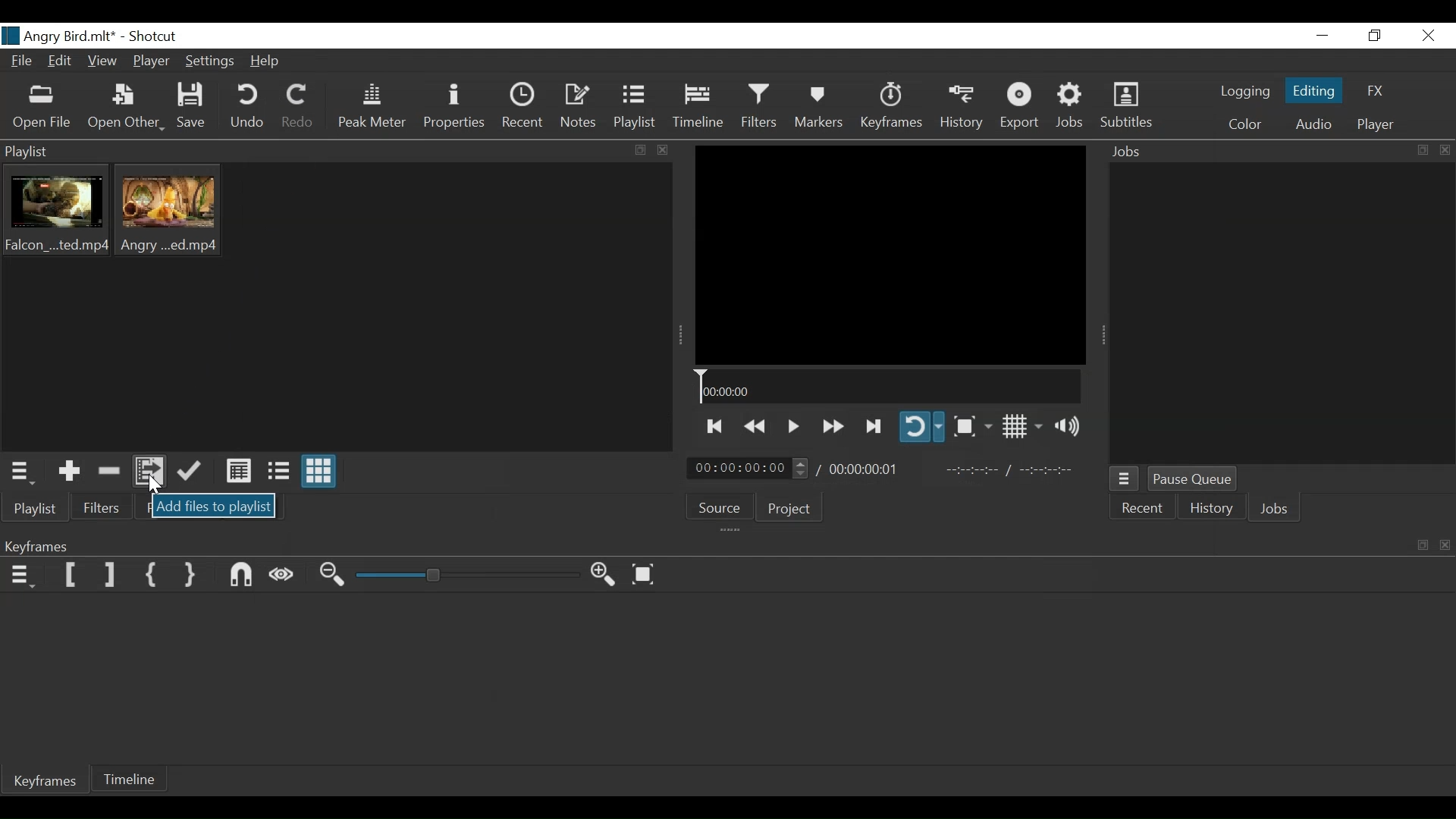  Describe the element at coordinates (1214, 510) in the screenshot. I see `History` at that location.